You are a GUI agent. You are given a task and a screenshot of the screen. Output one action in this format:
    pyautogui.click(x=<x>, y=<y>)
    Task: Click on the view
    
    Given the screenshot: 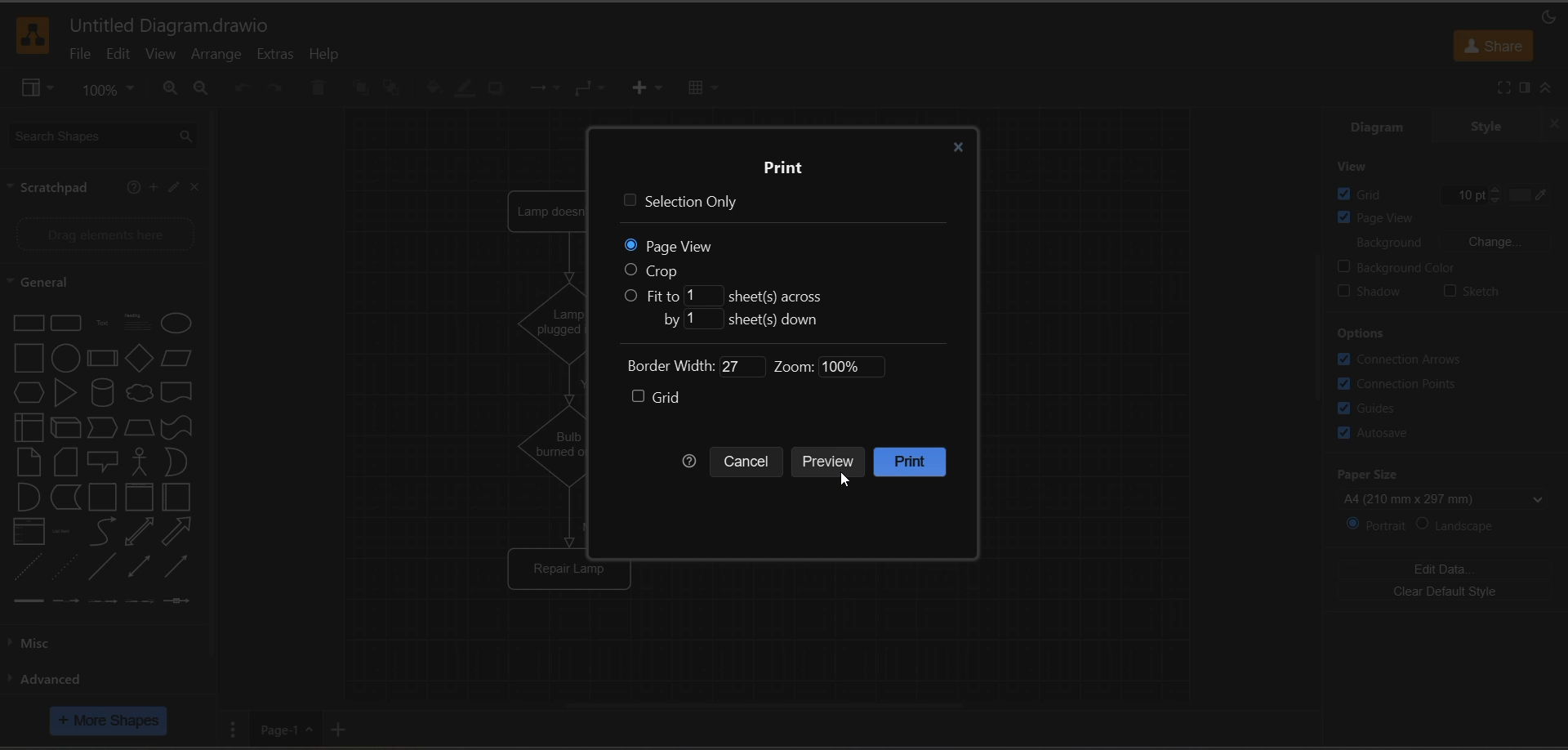 What is the action you would take?
    pyautogui.click(x=37, y=88)
    